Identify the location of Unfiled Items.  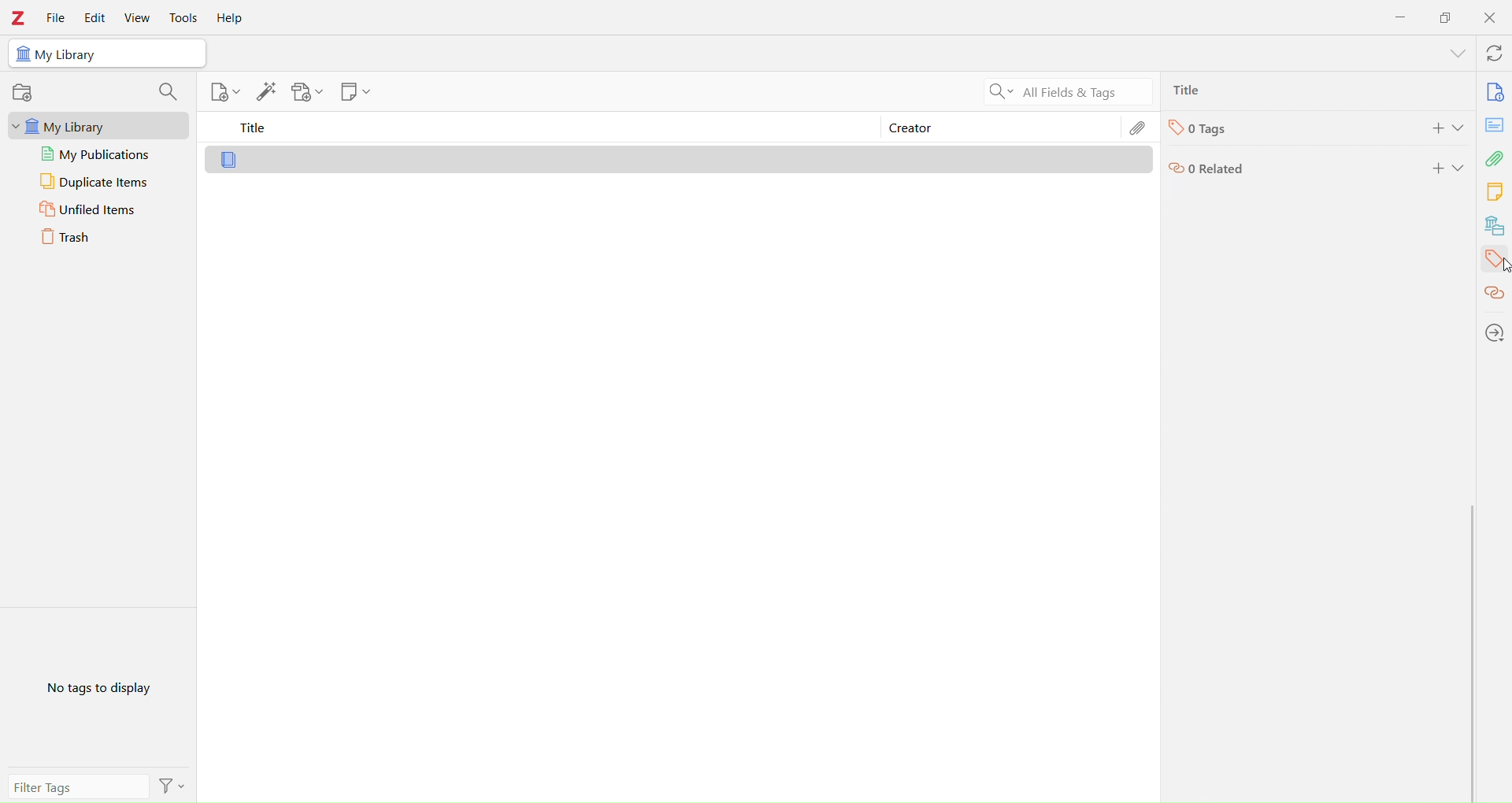
(91, 212).